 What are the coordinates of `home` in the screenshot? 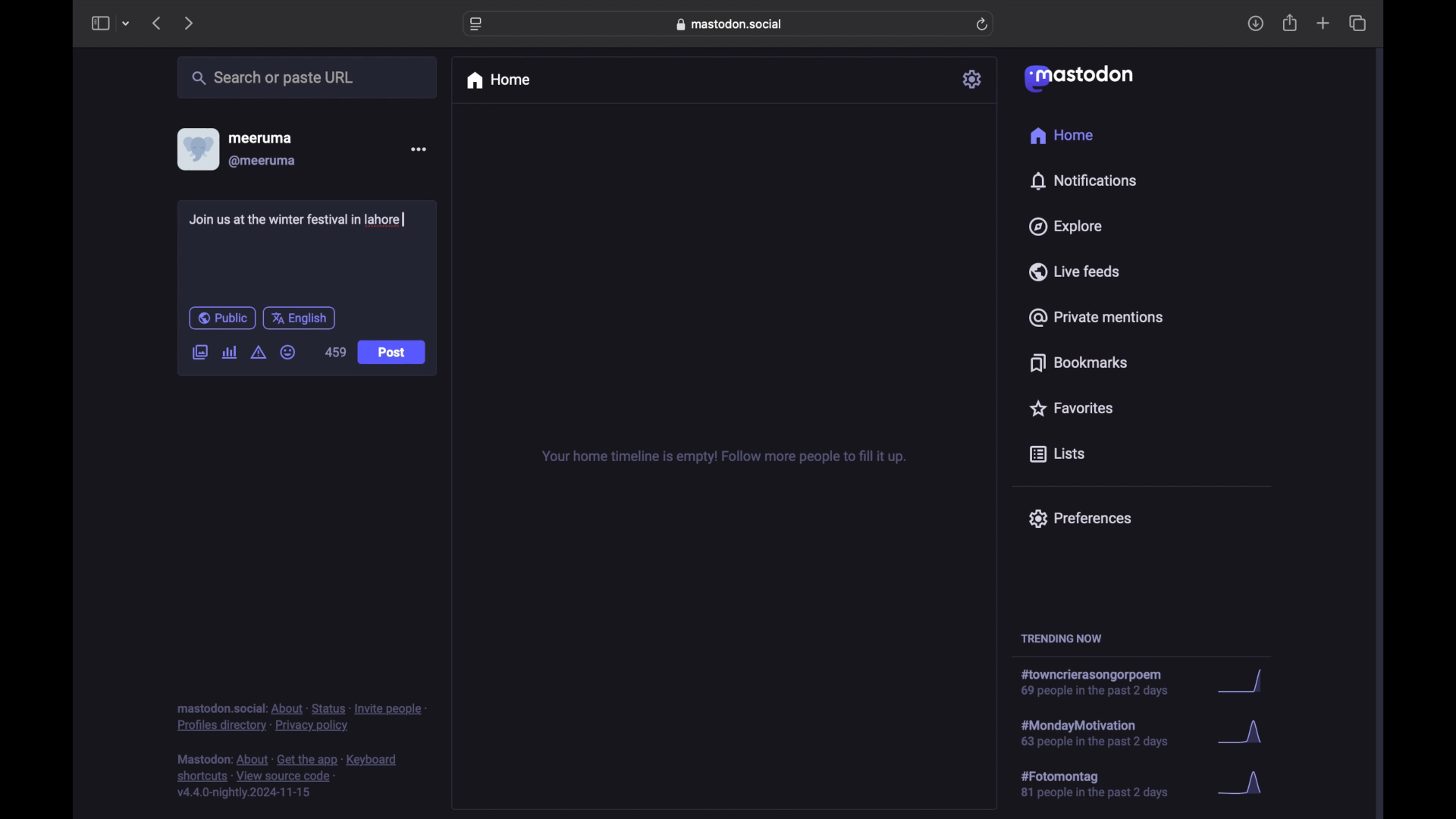 It's located at (1061, 136).